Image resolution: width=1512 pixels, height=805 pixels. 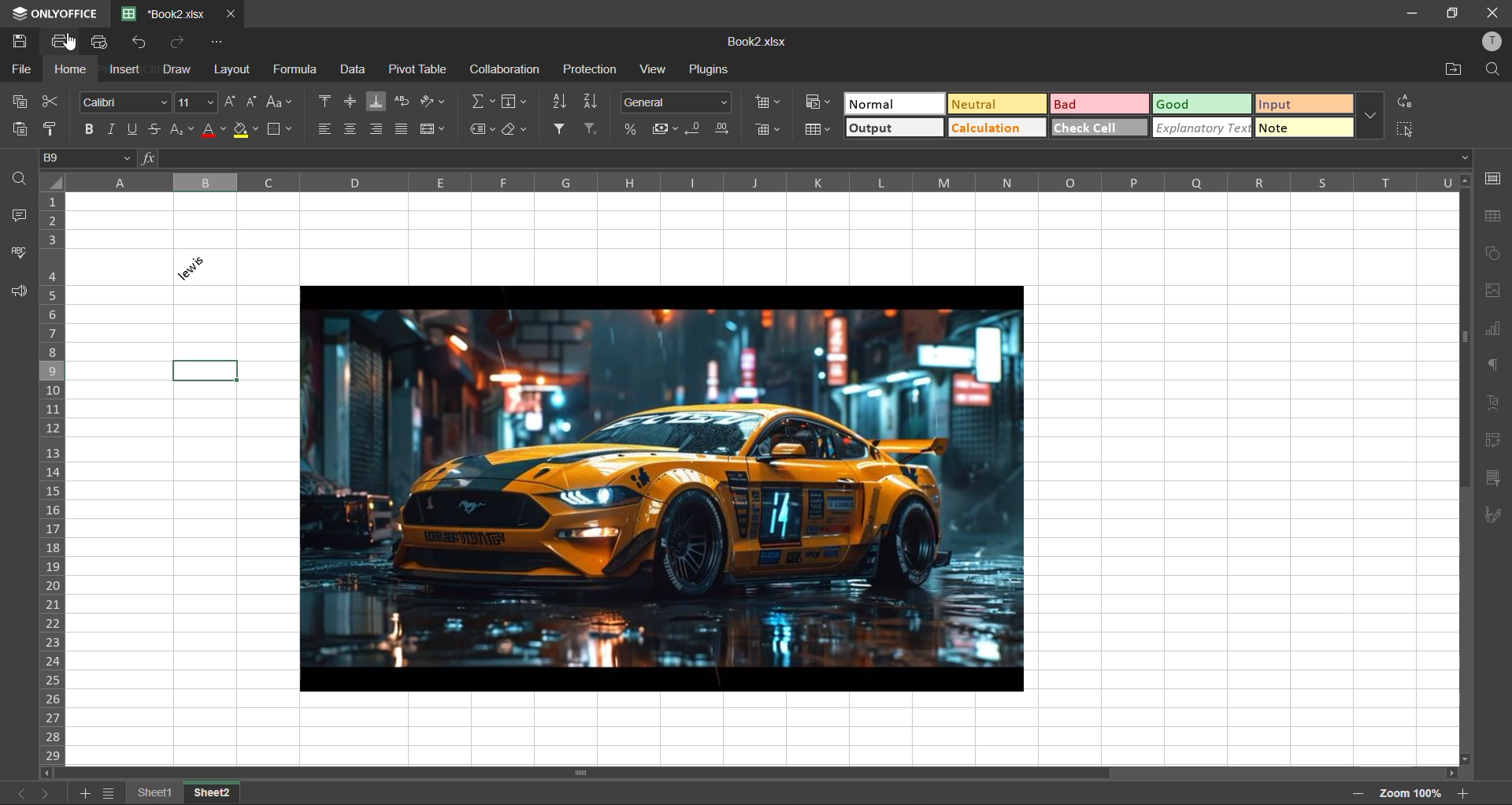 What do you see at coordinates (353, 72) in the screenshot?
I see `data` at bounding box center [353, 72].